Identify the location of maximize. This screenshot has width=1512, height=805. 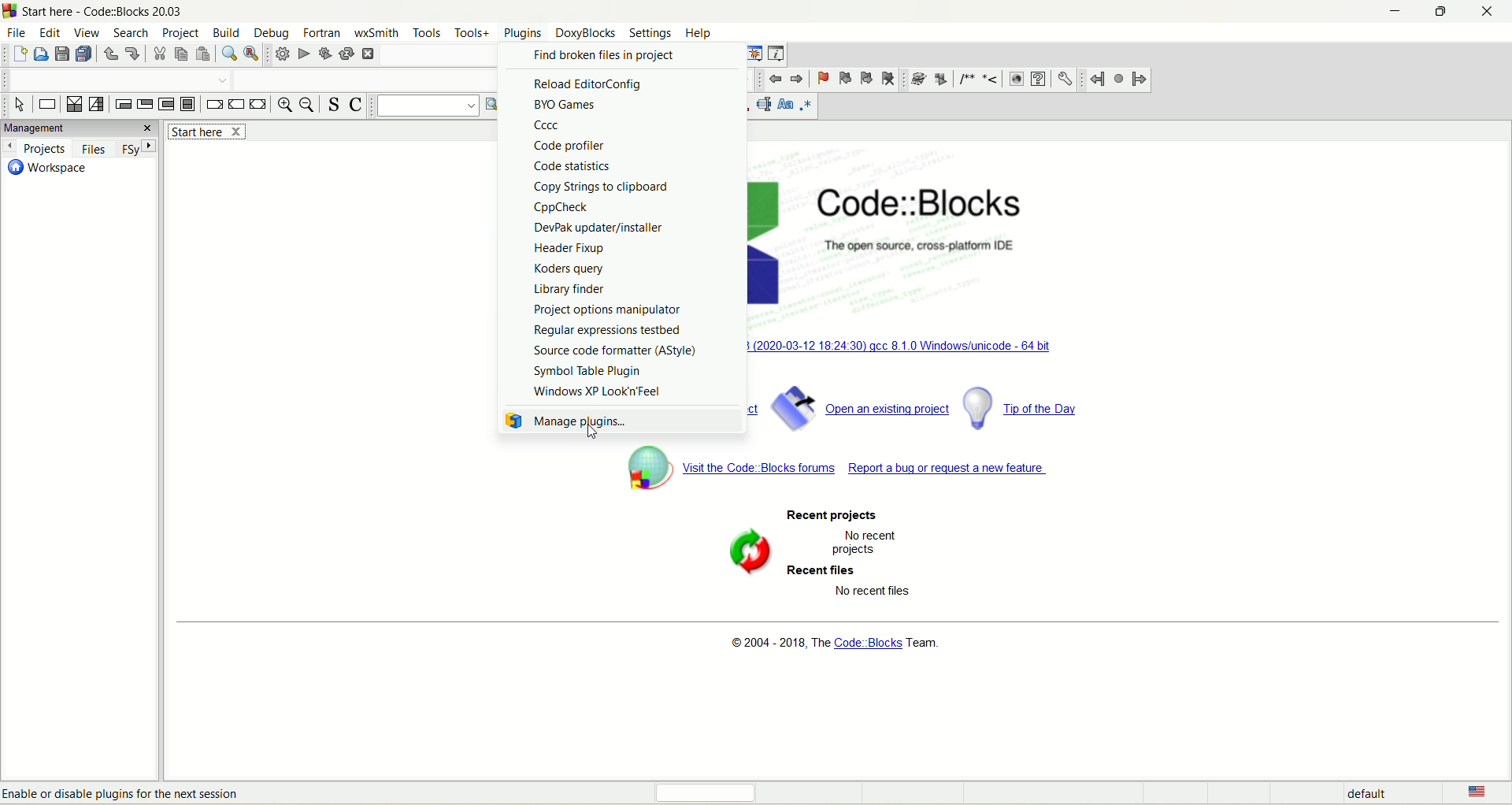
(1445, 9).